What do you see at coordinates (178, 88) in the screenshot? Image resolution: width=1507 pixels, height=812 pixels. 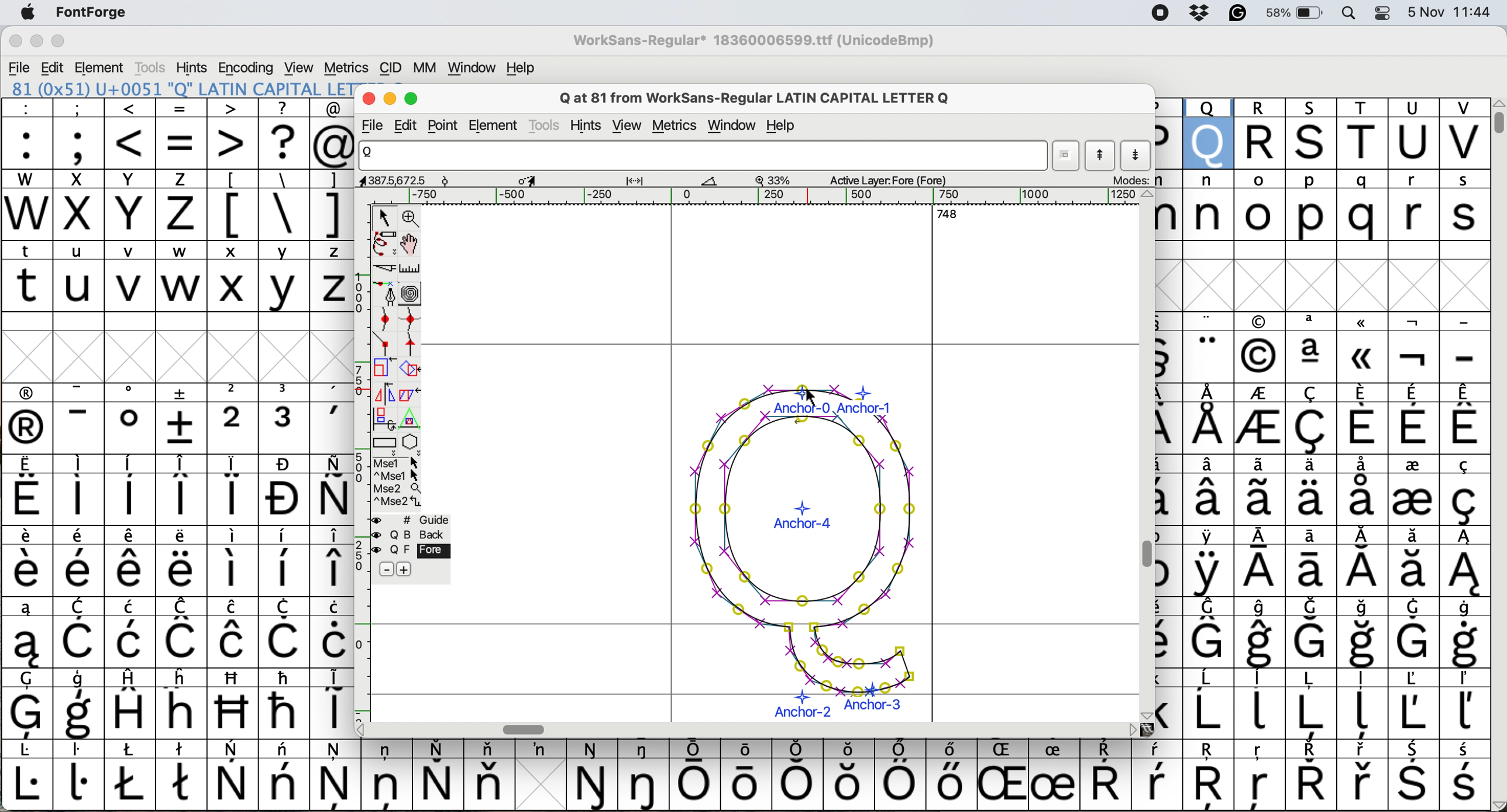 I see `81 (0x51) U+0051 "Q" LATIN CAPITAL LET` at bounding box center [178, 88].